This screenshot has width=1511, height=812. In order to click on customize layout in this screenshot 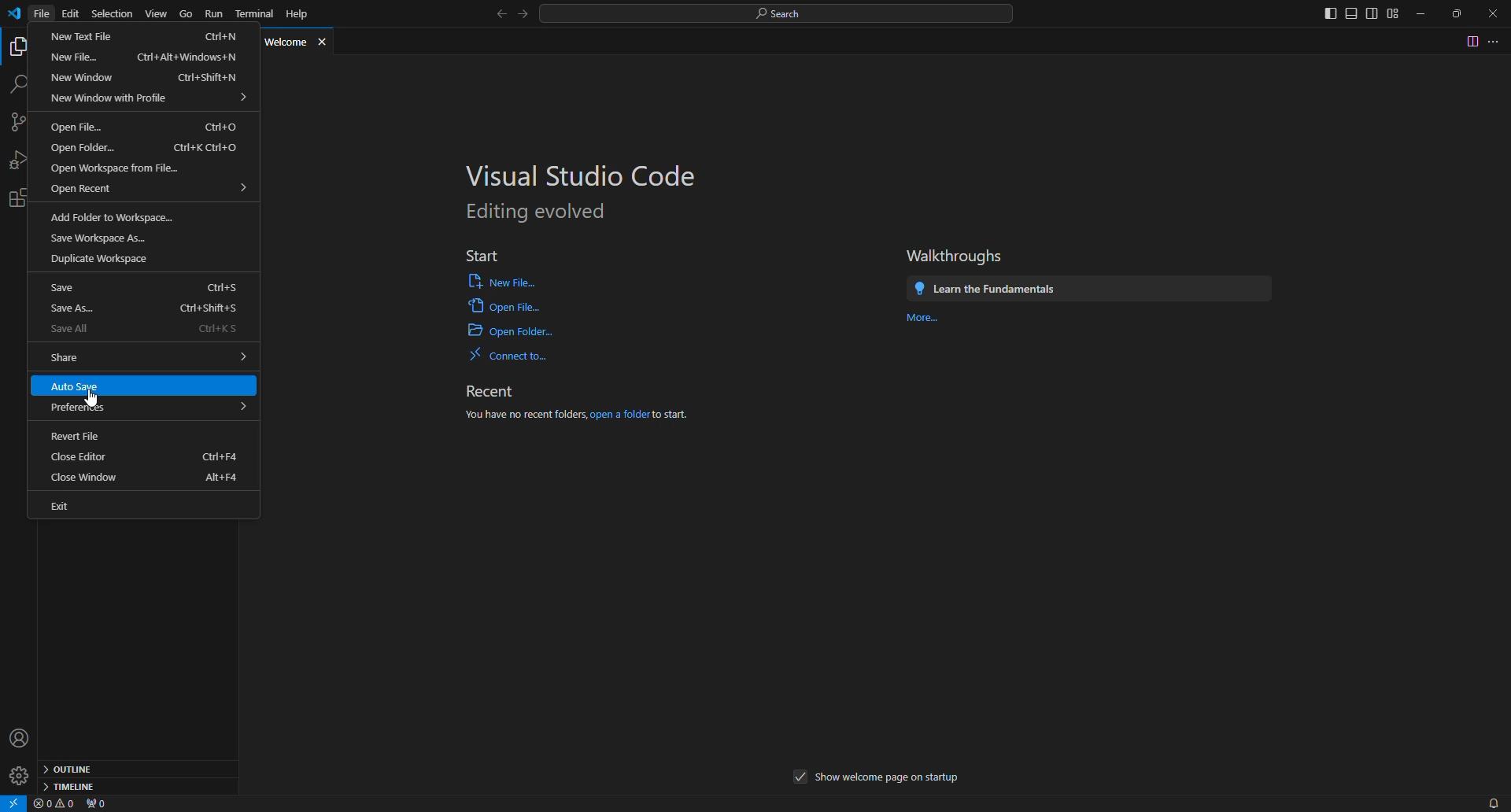, I will do `click(1395, 13)`.